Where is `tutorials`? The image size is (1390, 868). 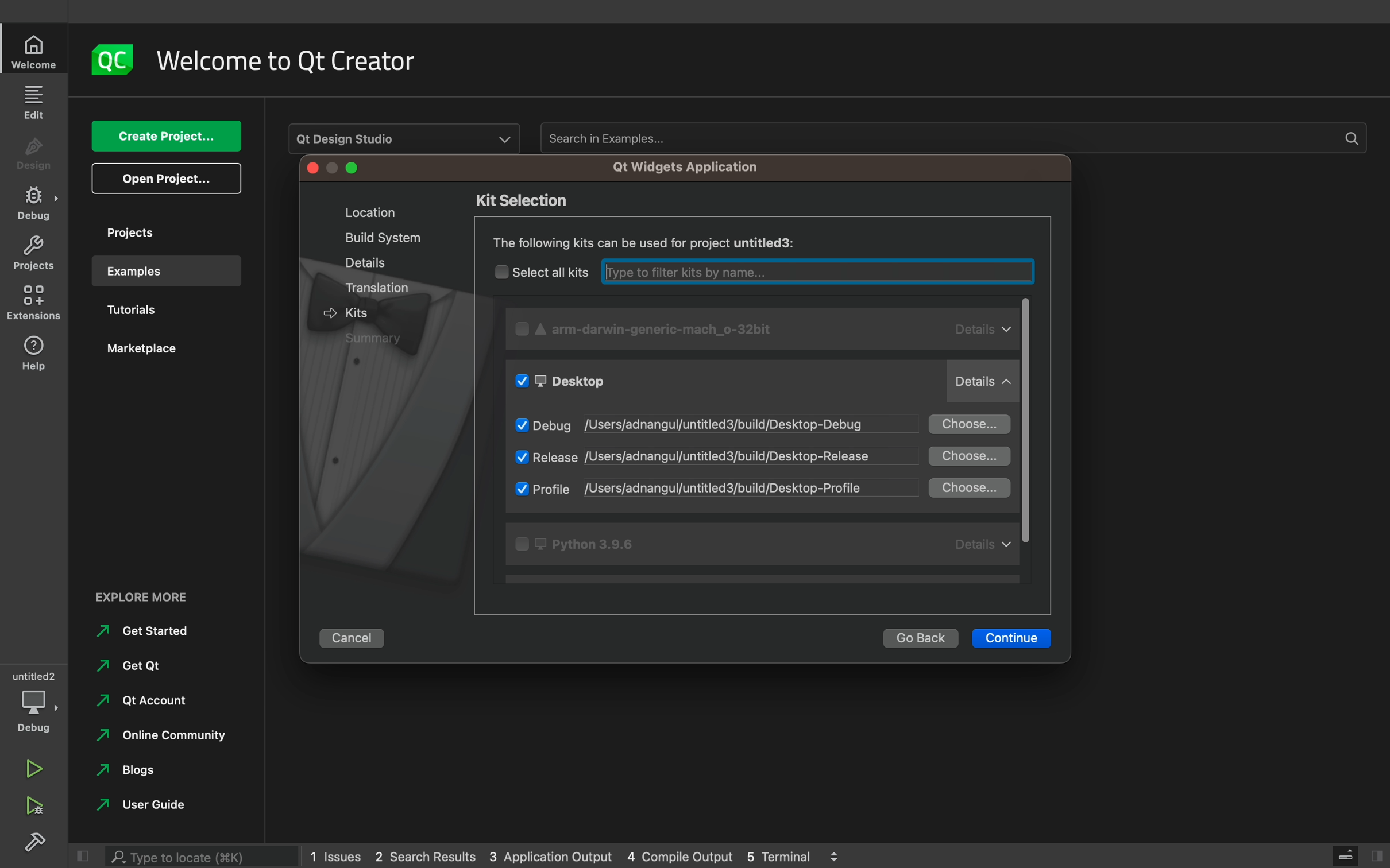
tutorials is located at coordinates (155, 312).